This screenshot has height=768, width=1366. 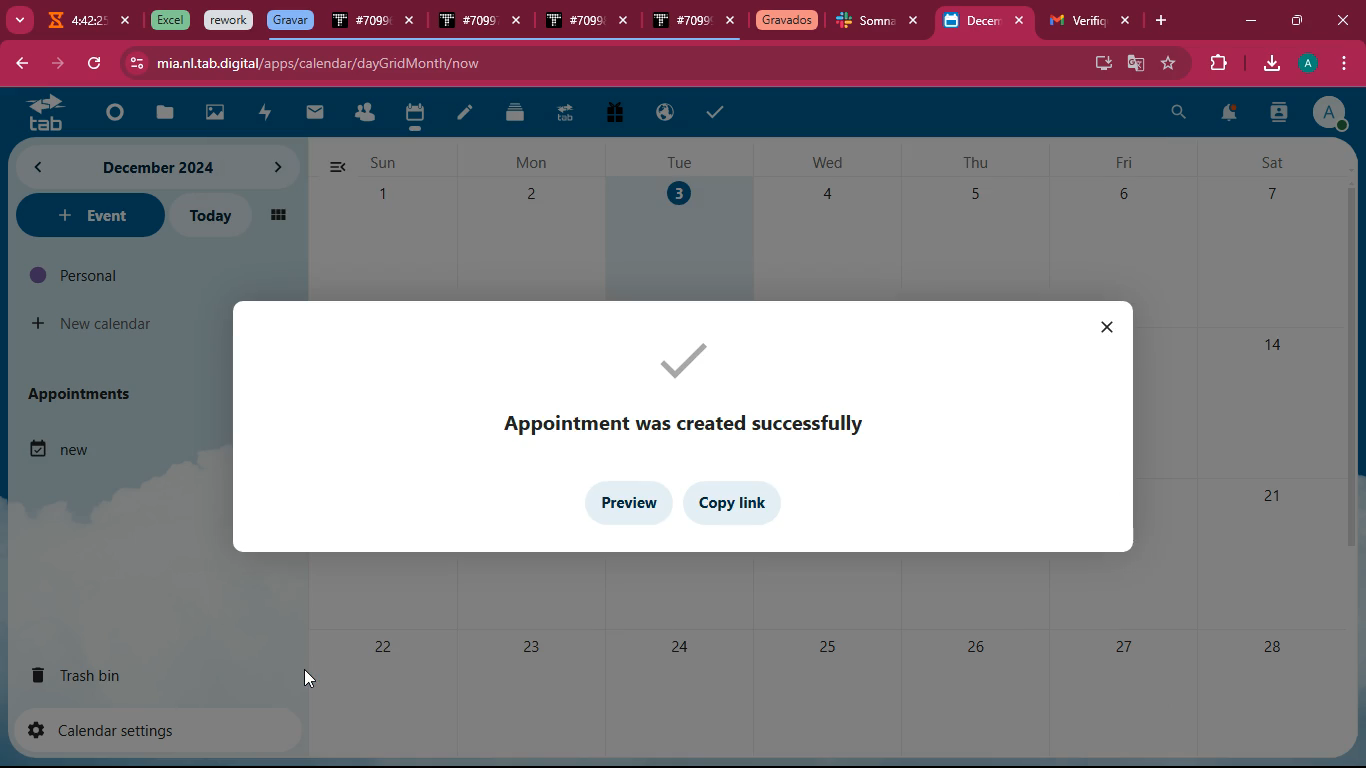 What do you see at coordinates (919, 21) in the screenshot?
I see `close` at bounding box center [919, 21].